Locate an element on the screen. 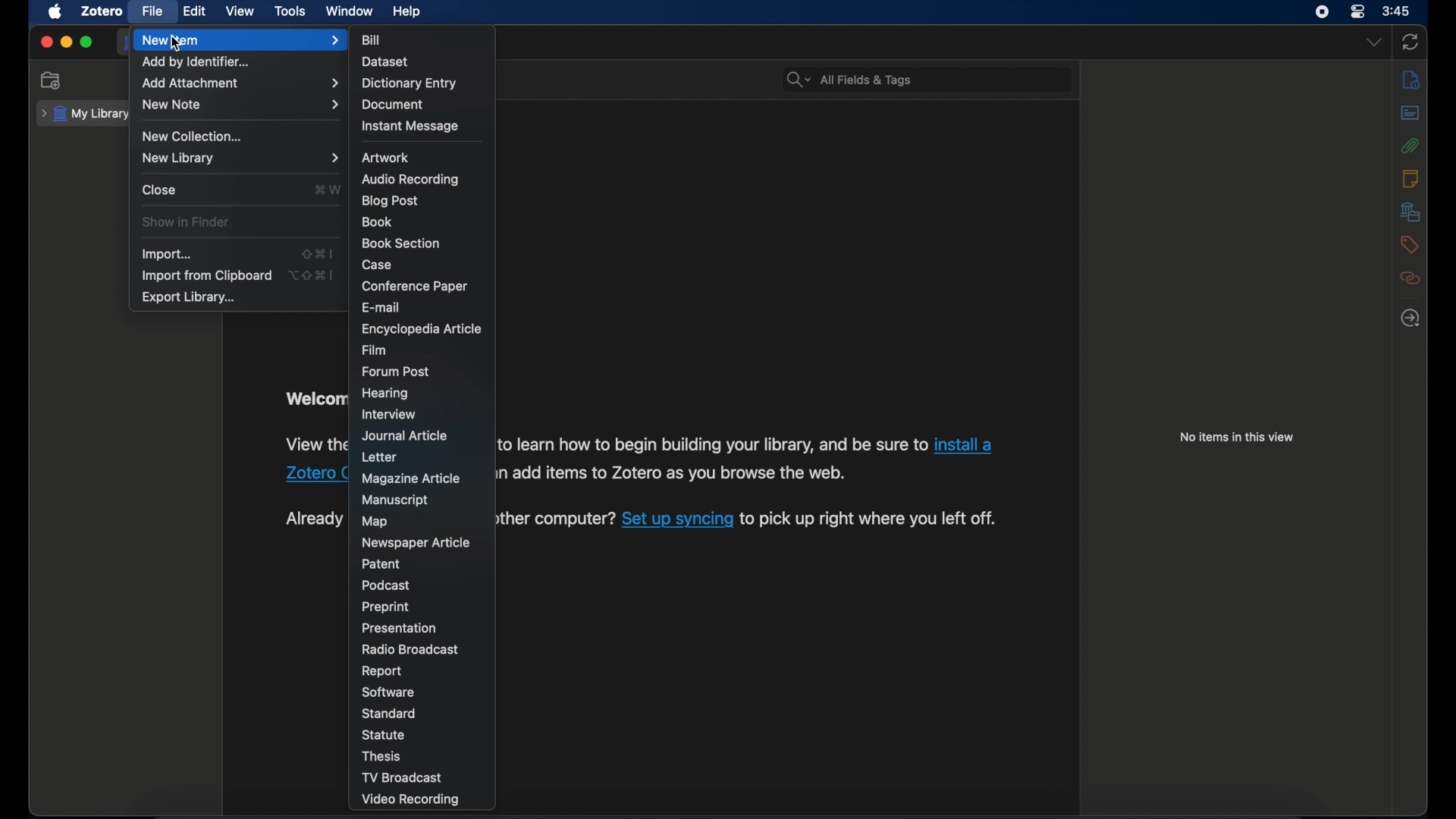 The width and height of the screenshot is (1456, 819). import from clipboard is located at coordinates (206, 276).